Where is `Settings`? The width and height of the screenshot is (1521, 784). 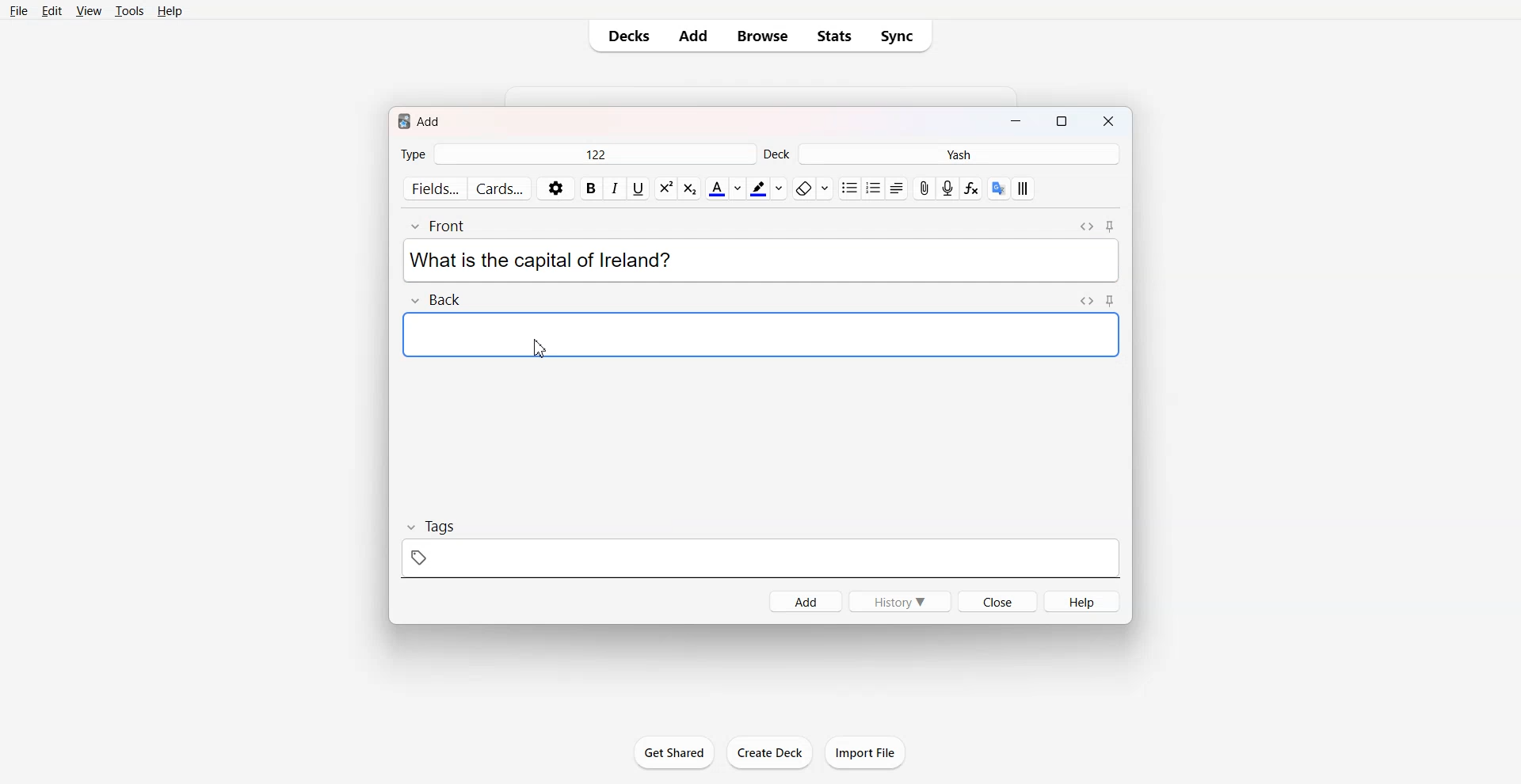 Settings is located at coordinates (556, 188).